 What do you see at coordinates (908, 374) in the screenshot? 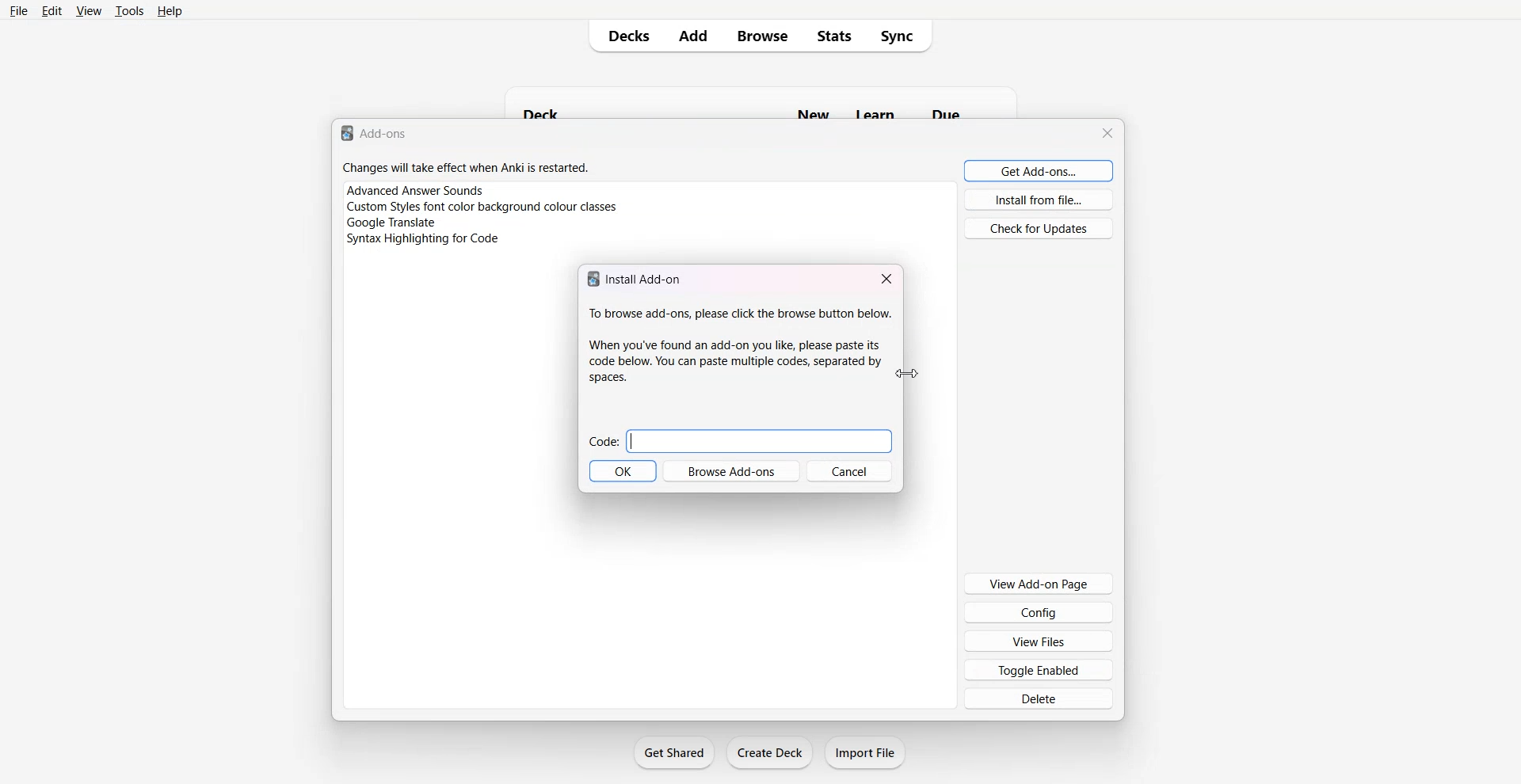
I see `resizing arrow` at bounding box center [908, 374].